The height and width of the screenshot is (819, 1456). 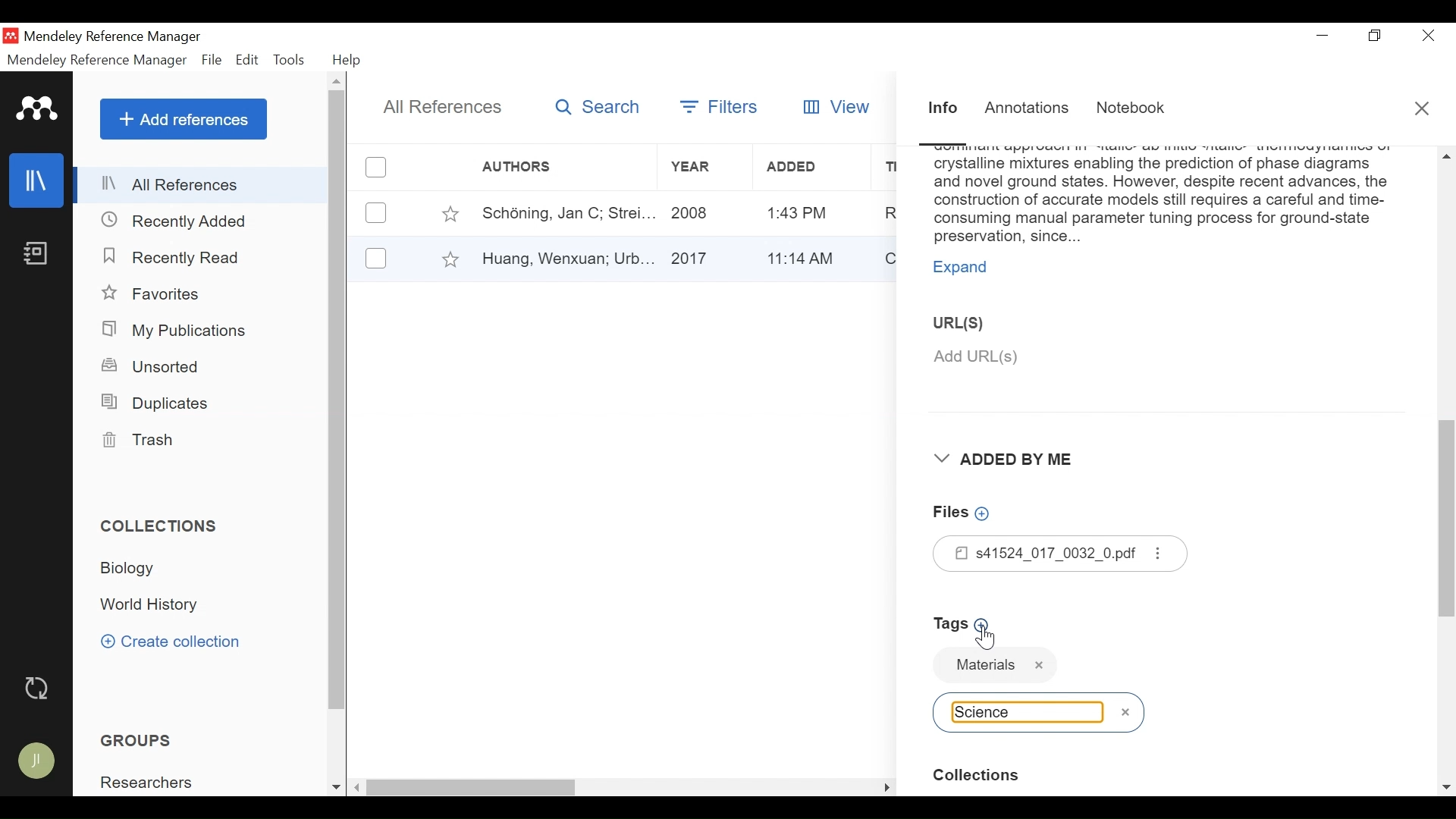 I want to click on Help, so click(x=348, y=61).